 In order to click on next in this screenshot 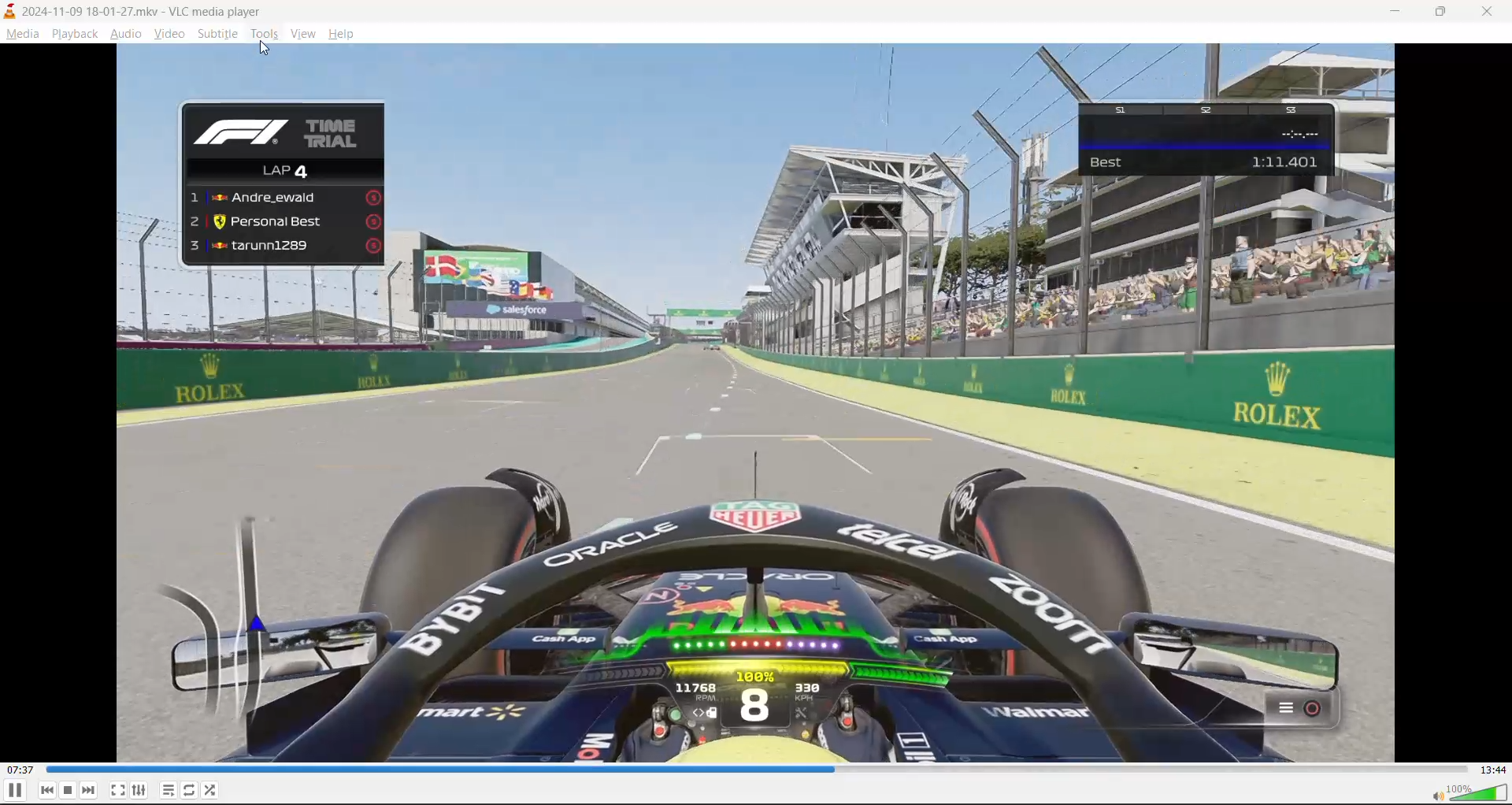, I will do `click(89, 789)`.